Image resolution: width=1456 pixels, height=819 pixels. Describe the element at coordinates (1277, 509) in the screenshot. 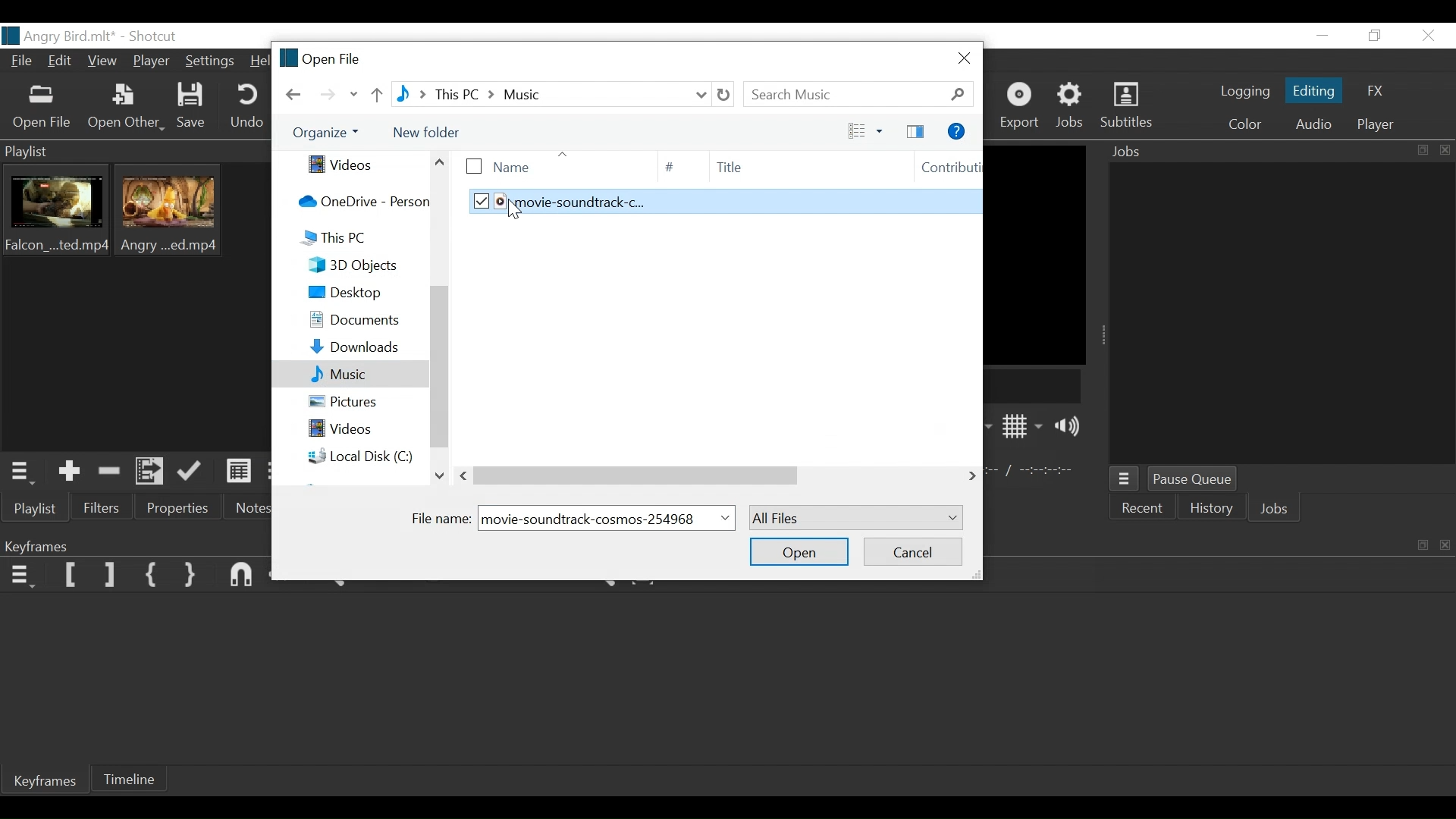

I see `Jobs` at that location.